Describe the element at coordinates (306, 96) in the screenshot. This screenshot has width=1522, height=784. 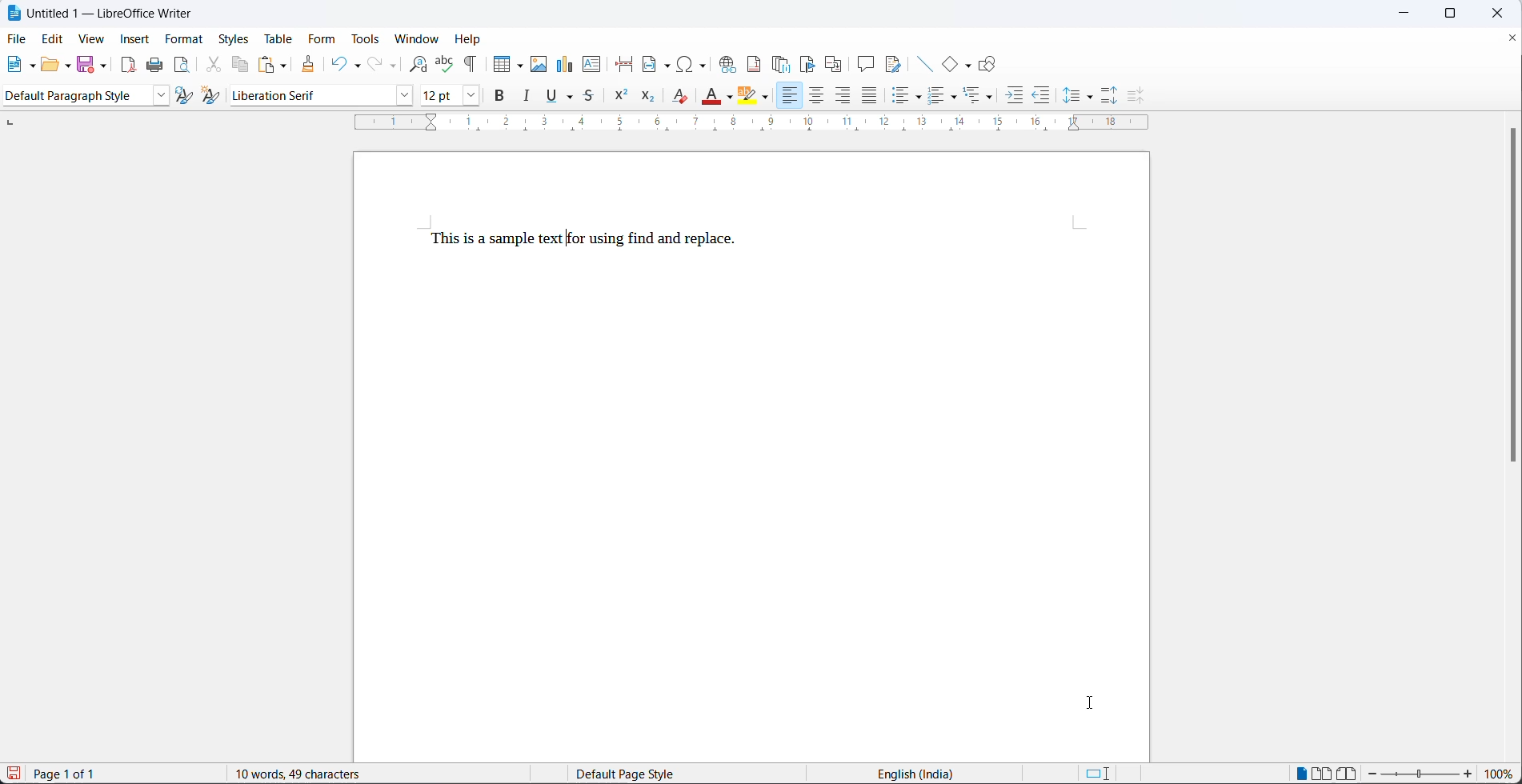
I see `font name` at that location.